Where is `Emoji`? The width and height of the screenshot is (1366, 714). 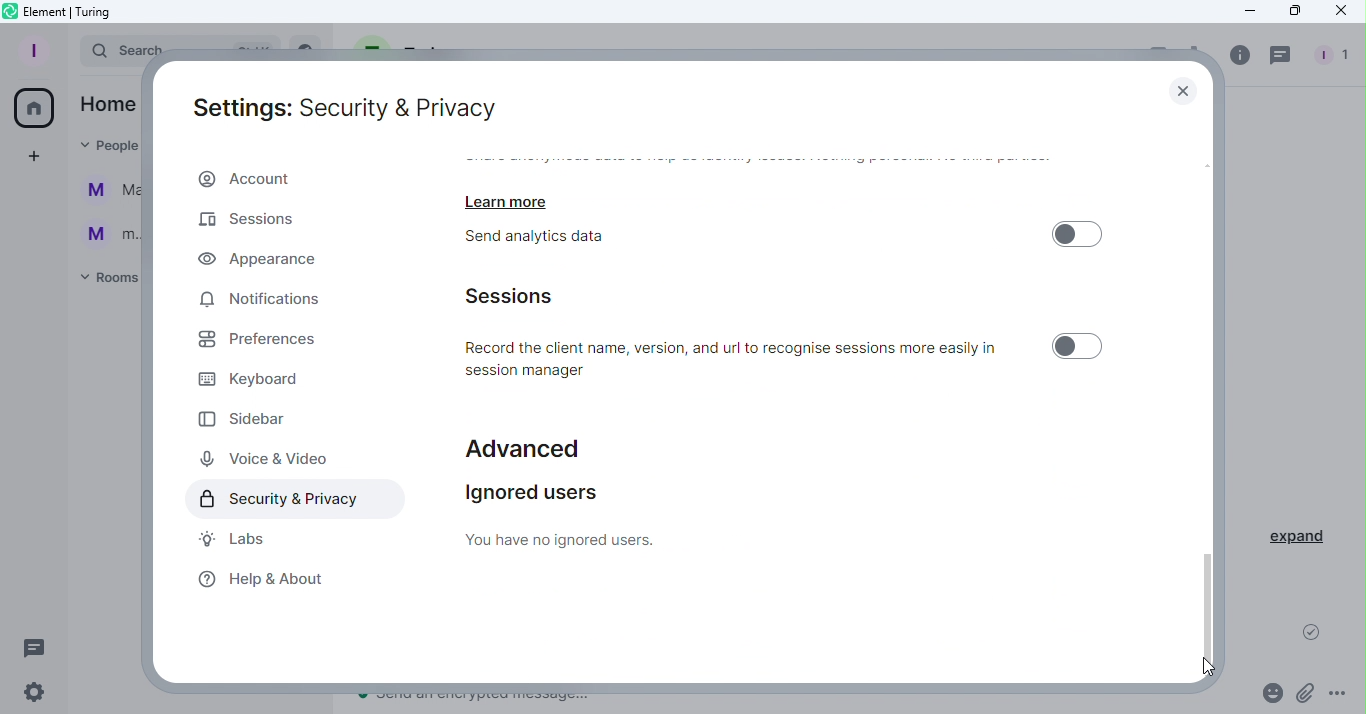
Emoji is located at coordinates (1270, 692).